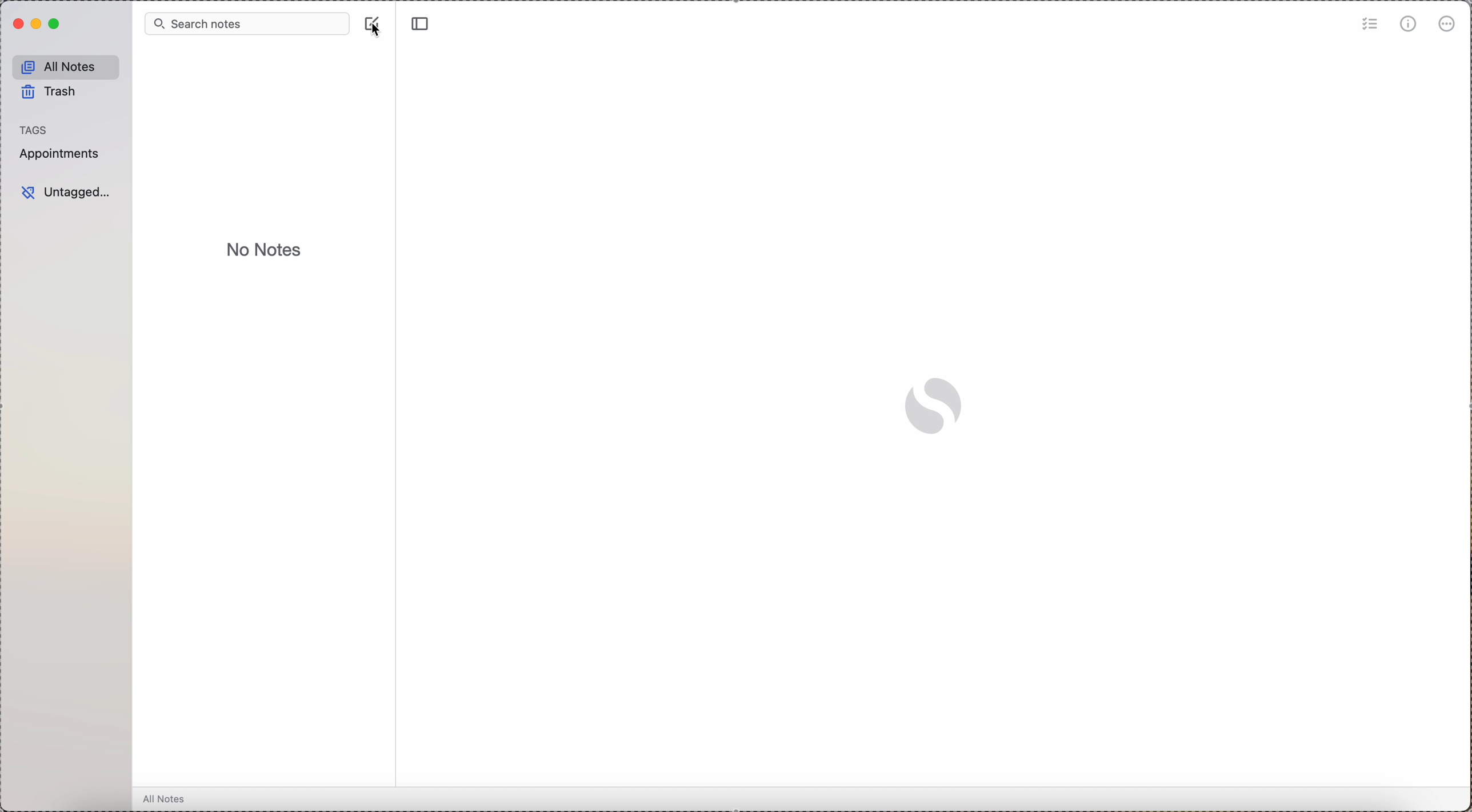 This screenshot has height=812, width=1472. What do you see at coordinates (247, 25) in the screenshot?
I see `search bar` at bounding box center [247, 25].